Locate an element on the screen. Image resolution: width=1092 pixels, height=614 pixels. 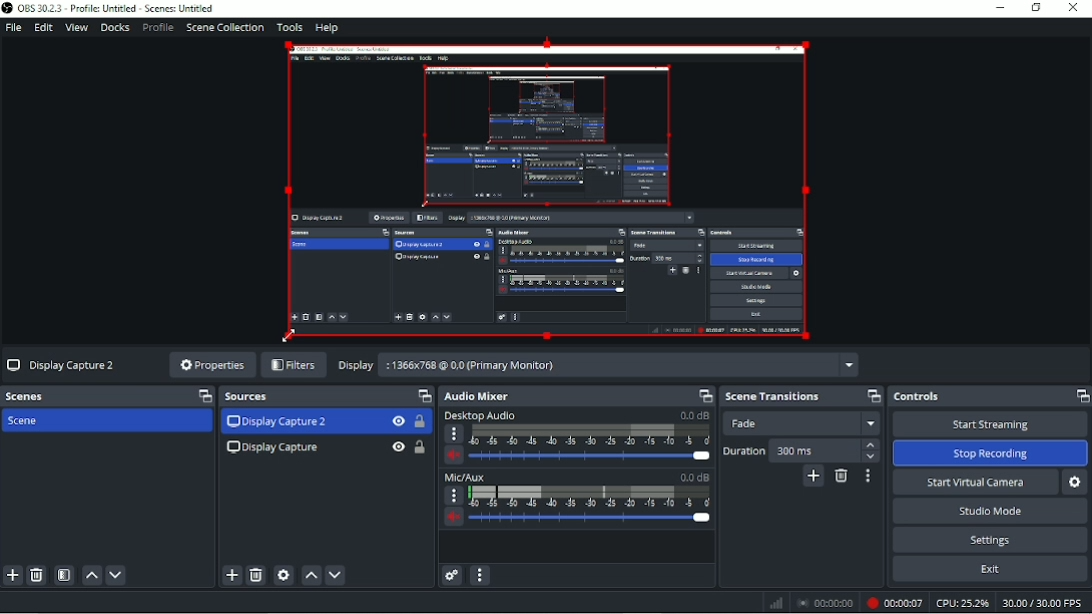
Scene collection is located at coordinates (225, 28).